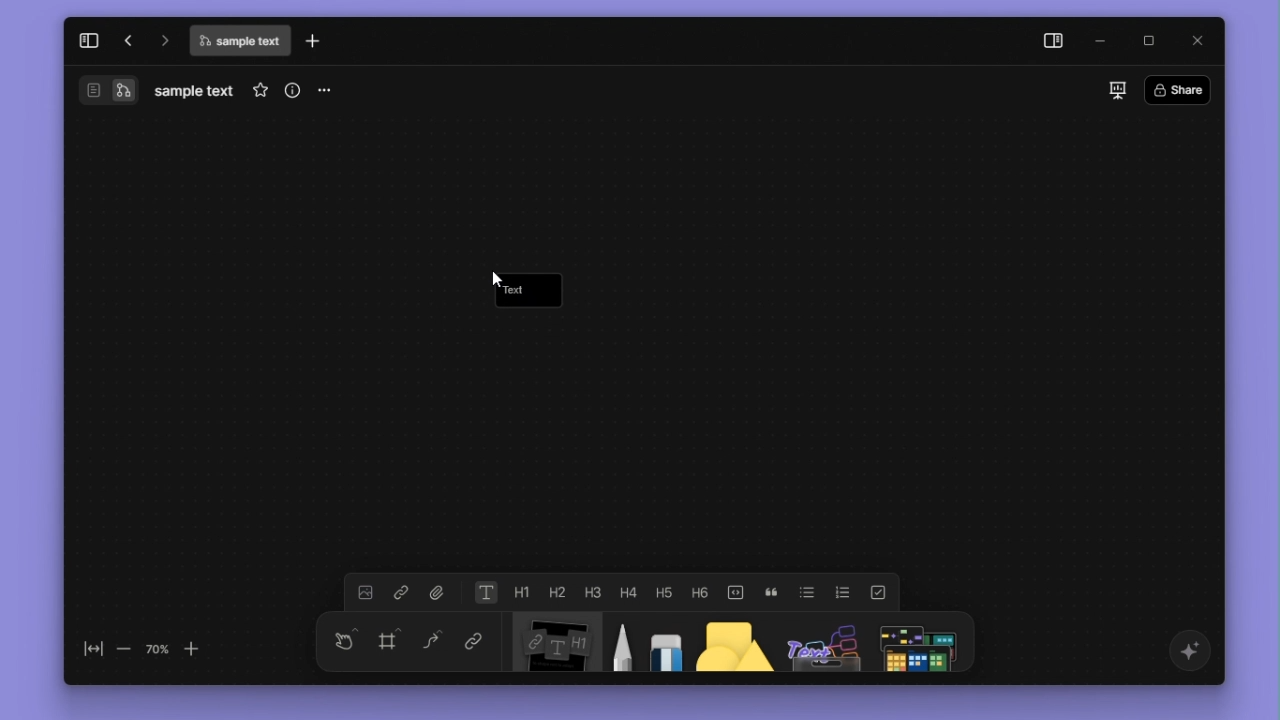 This screenshot has height=720, width=1280. Describe the element at coordinates (808, 591) in the screenshot. I see `bulleted list` at that location.